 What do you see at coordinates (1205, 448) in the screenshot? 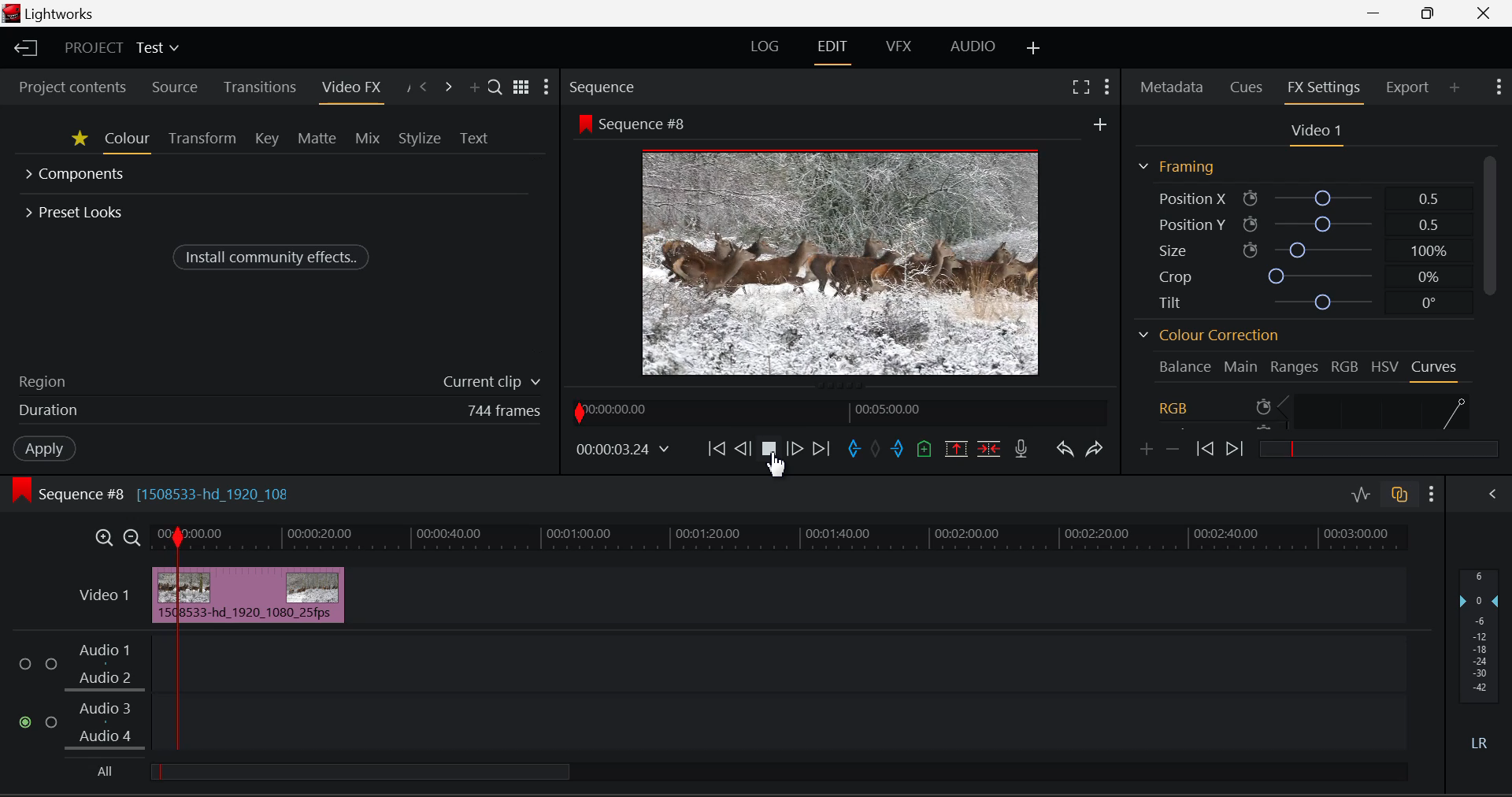
I see `Previous keyframe` at bounding box center [1205, 448].